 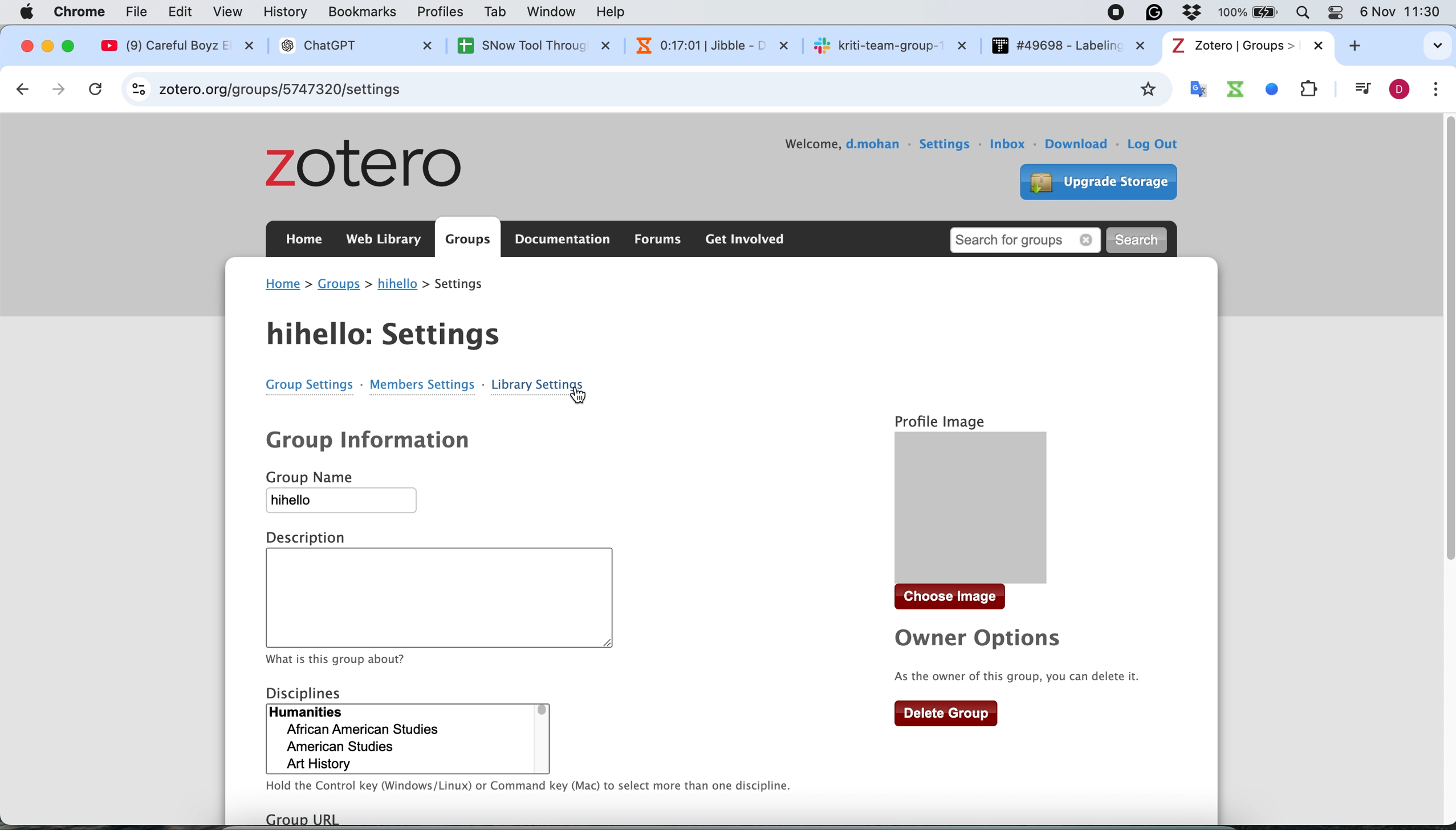 I want to click on sk kriti-team-group-~  X, so click(x=889, y=44).